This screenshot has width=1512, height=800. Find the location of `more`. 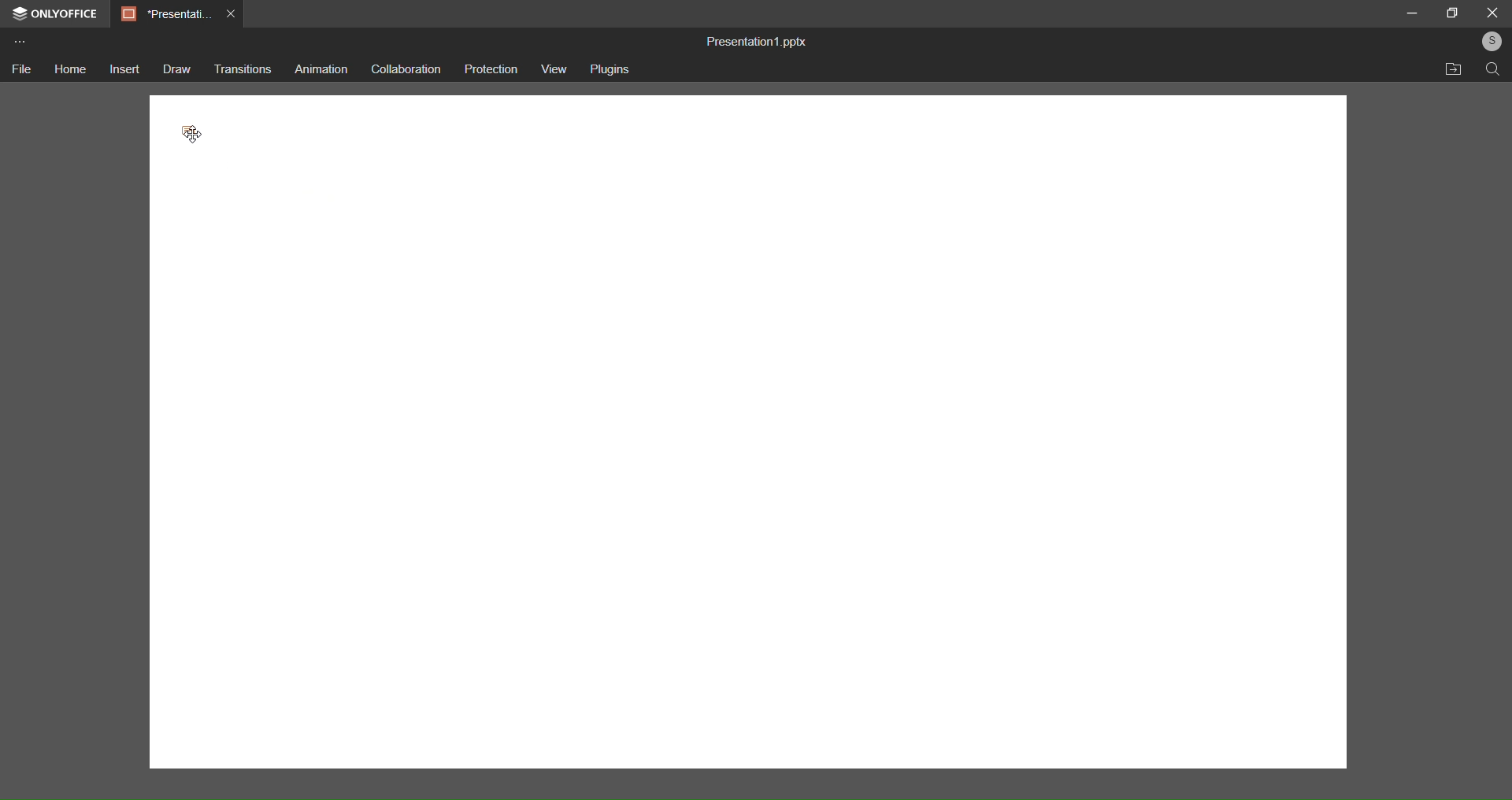

more is located at coordinates (20, 41).